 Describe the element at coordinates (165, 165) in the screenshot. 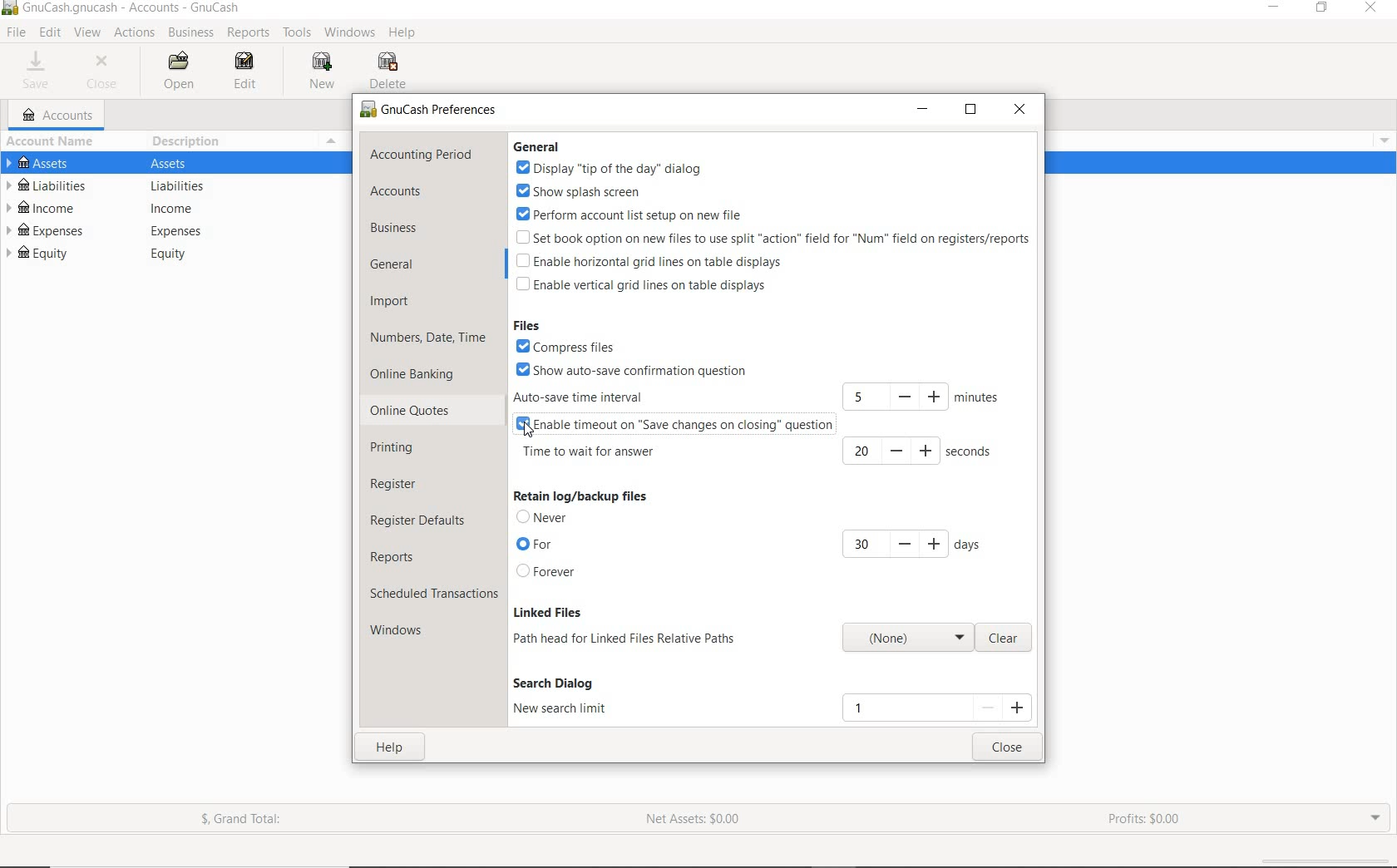

I see `ASSETS` at that location.